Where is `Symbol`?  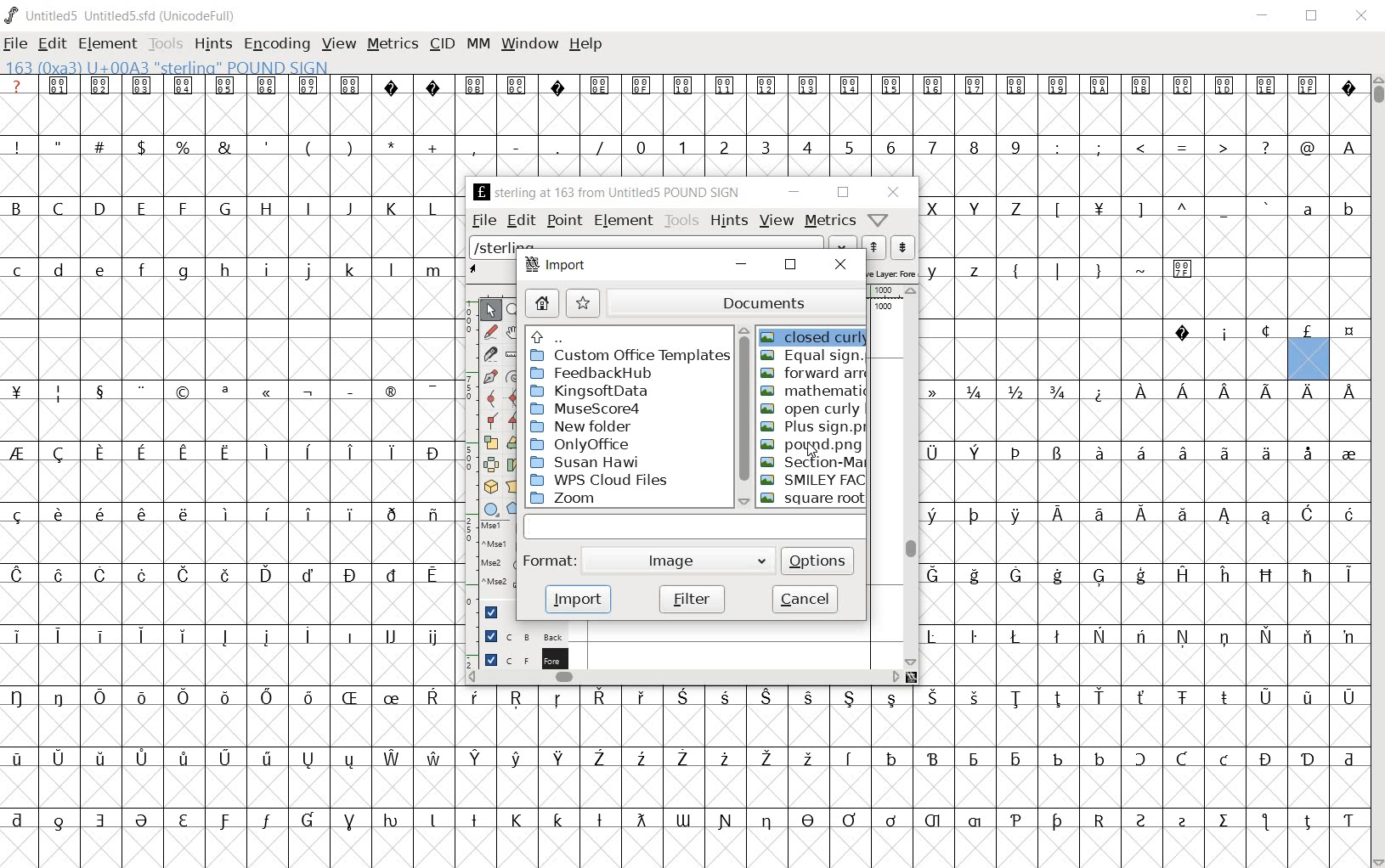 Symbol is located at coordinates (1348, 819).